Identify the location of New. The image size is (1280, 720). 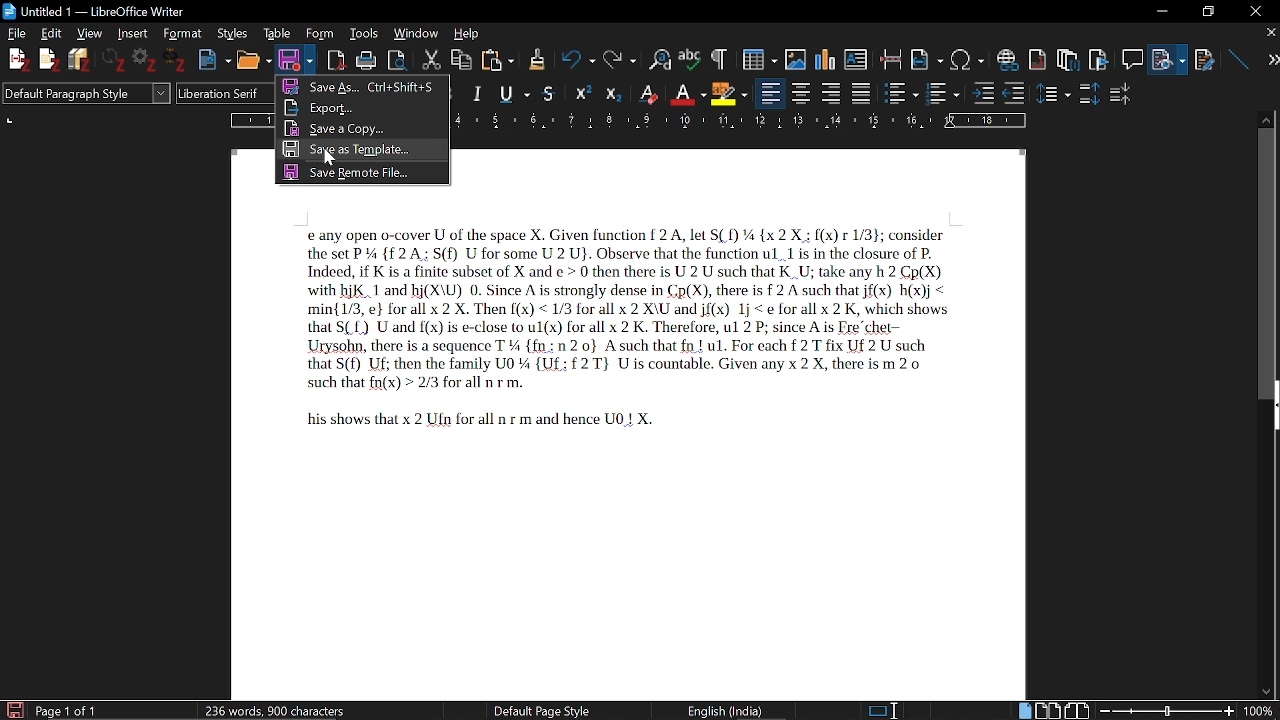
(214, 58).